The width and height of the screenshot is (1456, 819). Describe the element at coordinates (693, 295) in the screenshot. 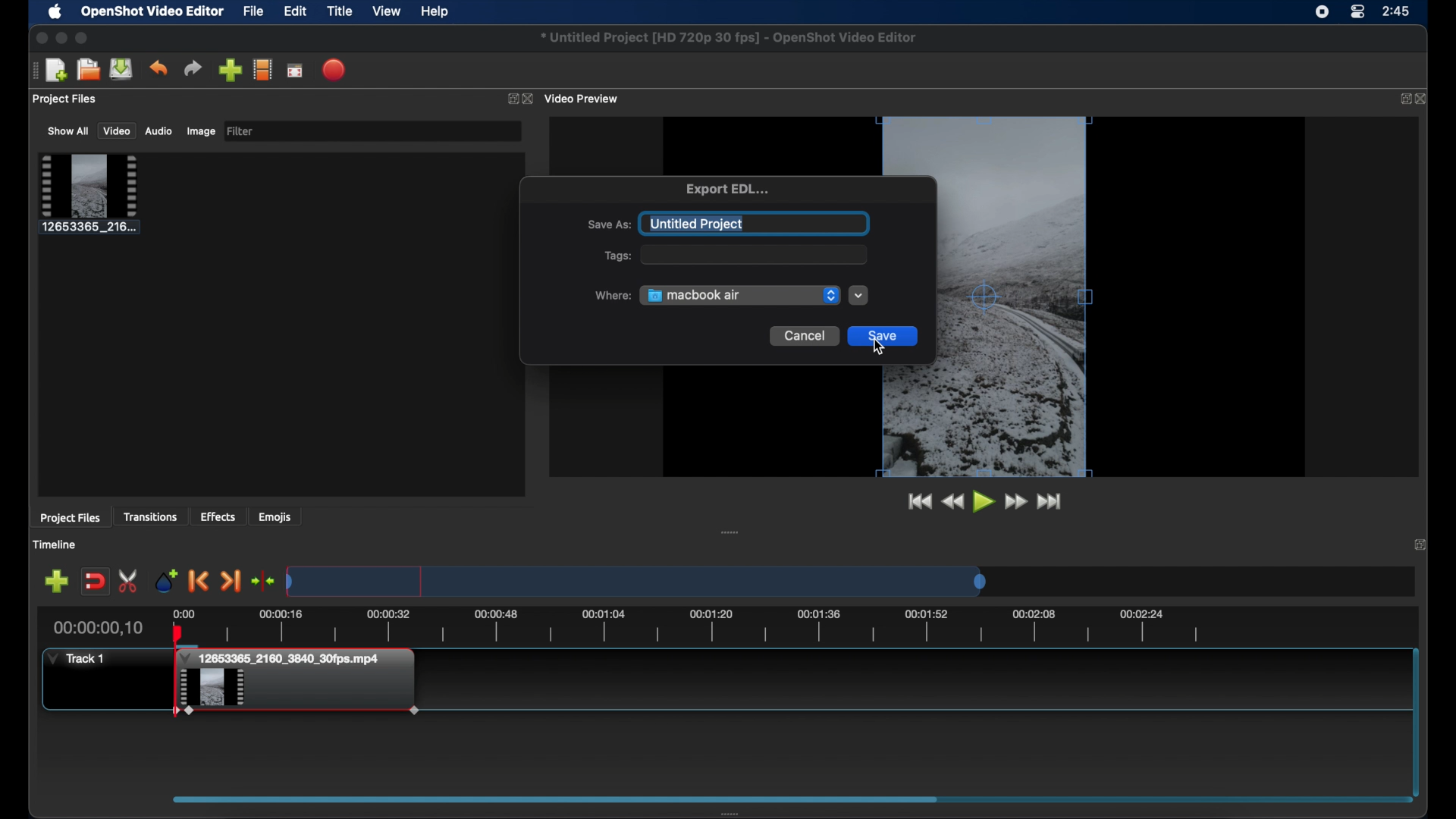

I see `macbook air` at that location.